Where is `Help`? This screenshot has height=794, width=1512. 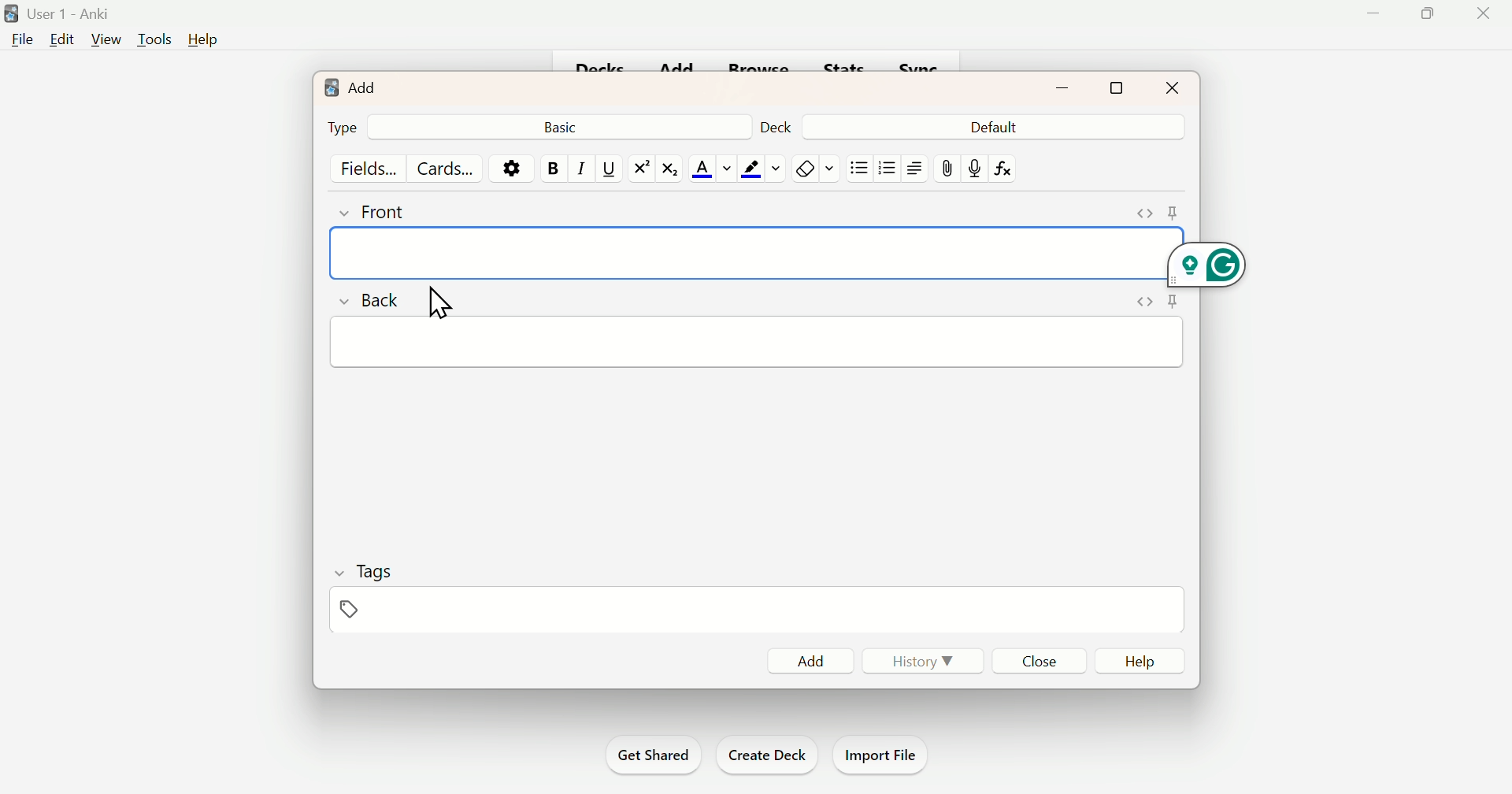 Help is located at coordinates (1143, 659).